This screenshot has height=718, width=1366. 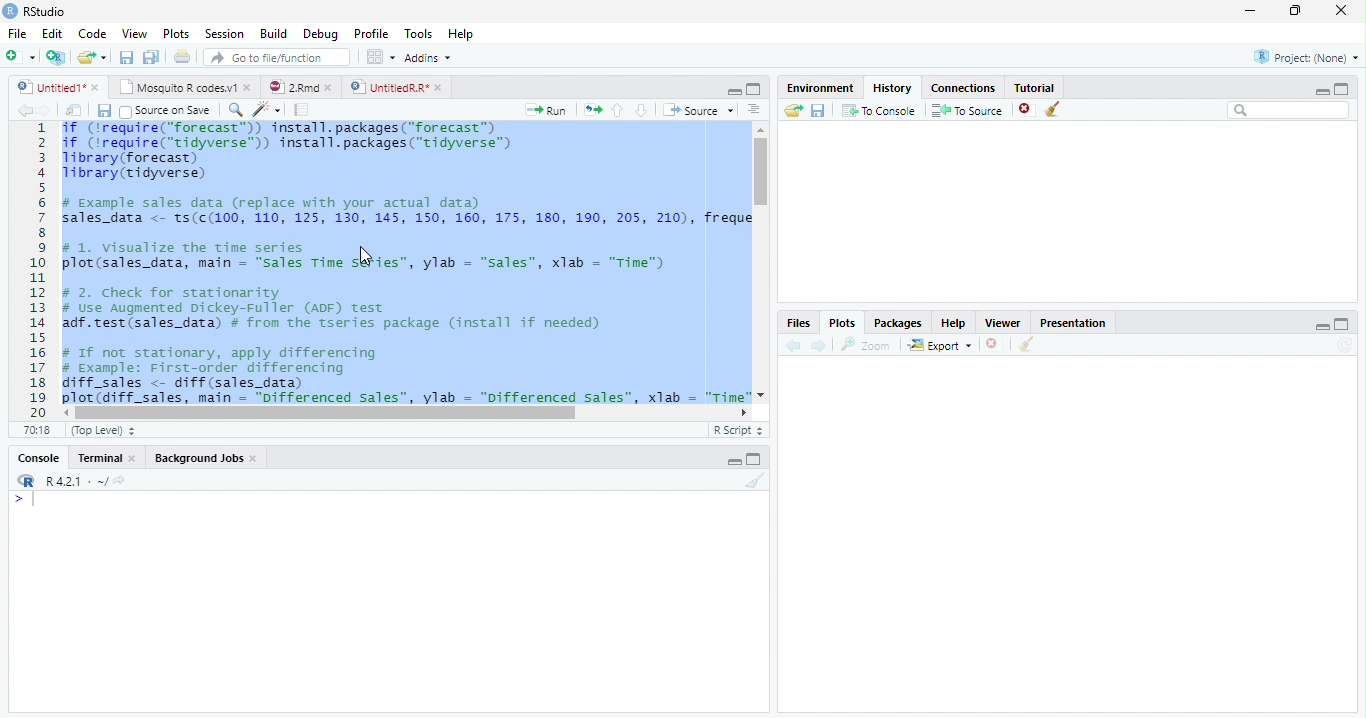 What do you see at coordinates (864, 345) in the screenshot?
I see `Zoom` at bounding box center [864, 345].